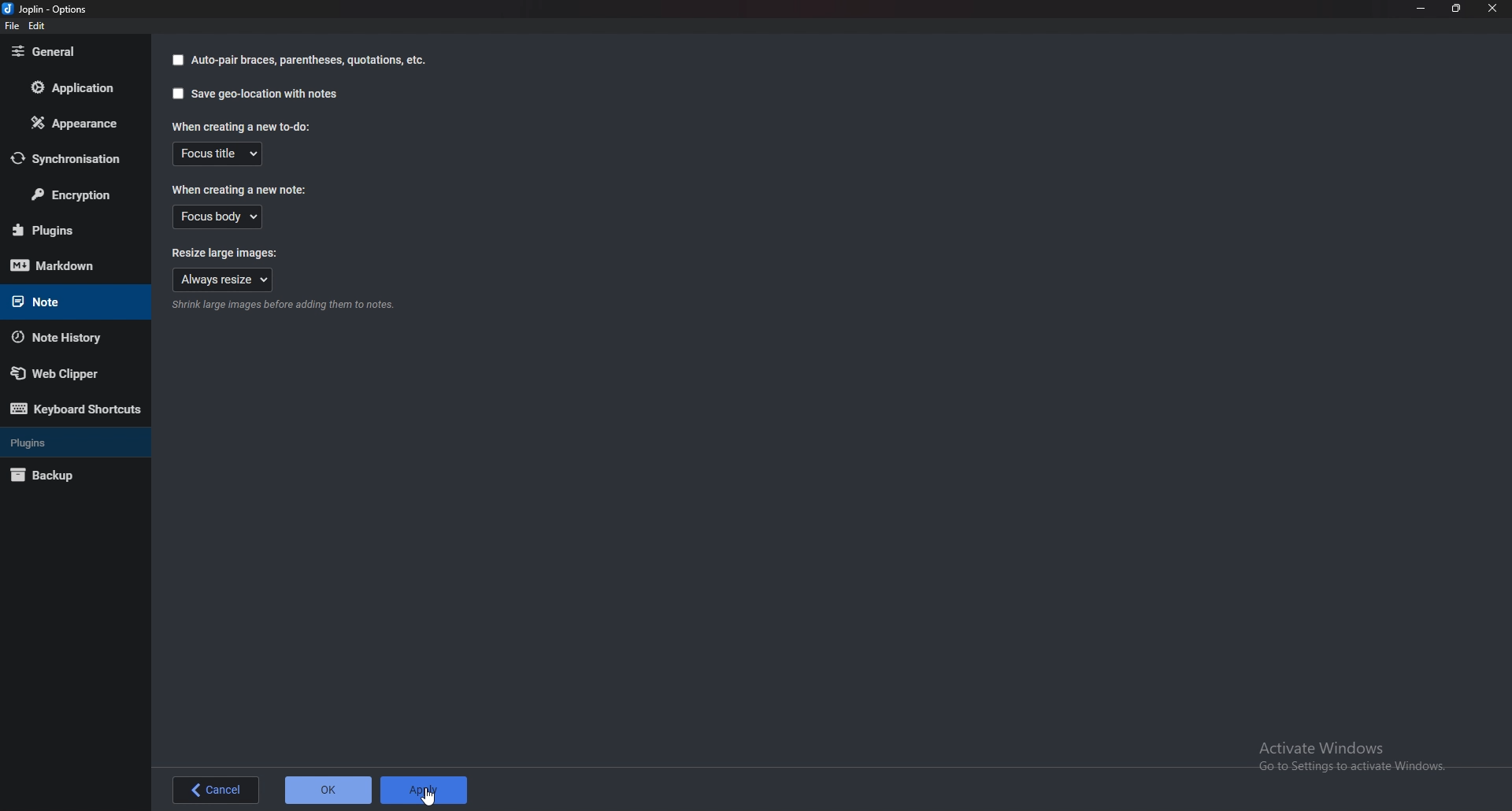  What do you see at coordinates (223, 280) in the screenshot?
I see `Never resize` at bounding box center [223, 280].